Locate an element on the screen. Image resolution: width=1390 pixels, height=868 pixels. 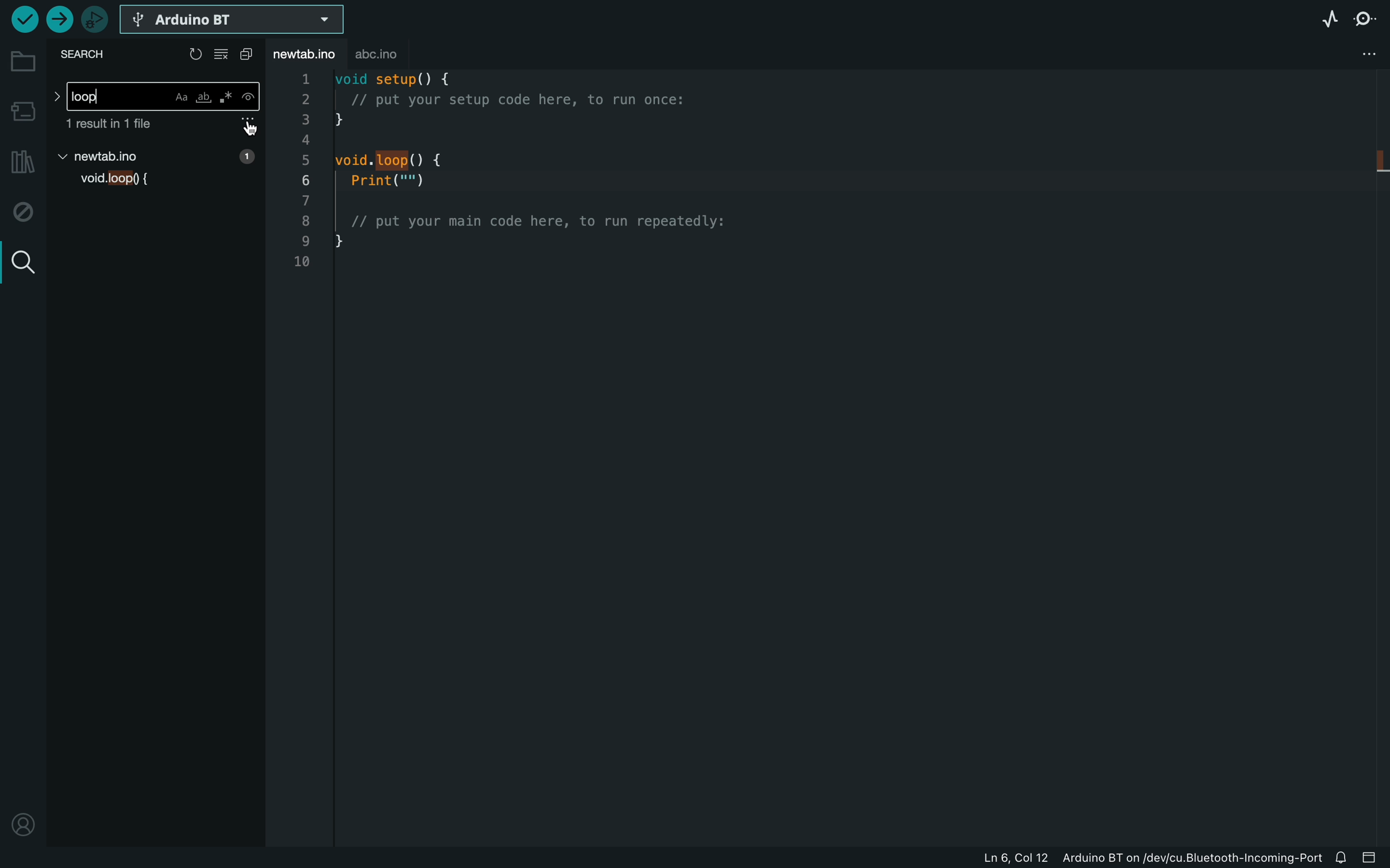
file tab is located at coordinates (308, 56).